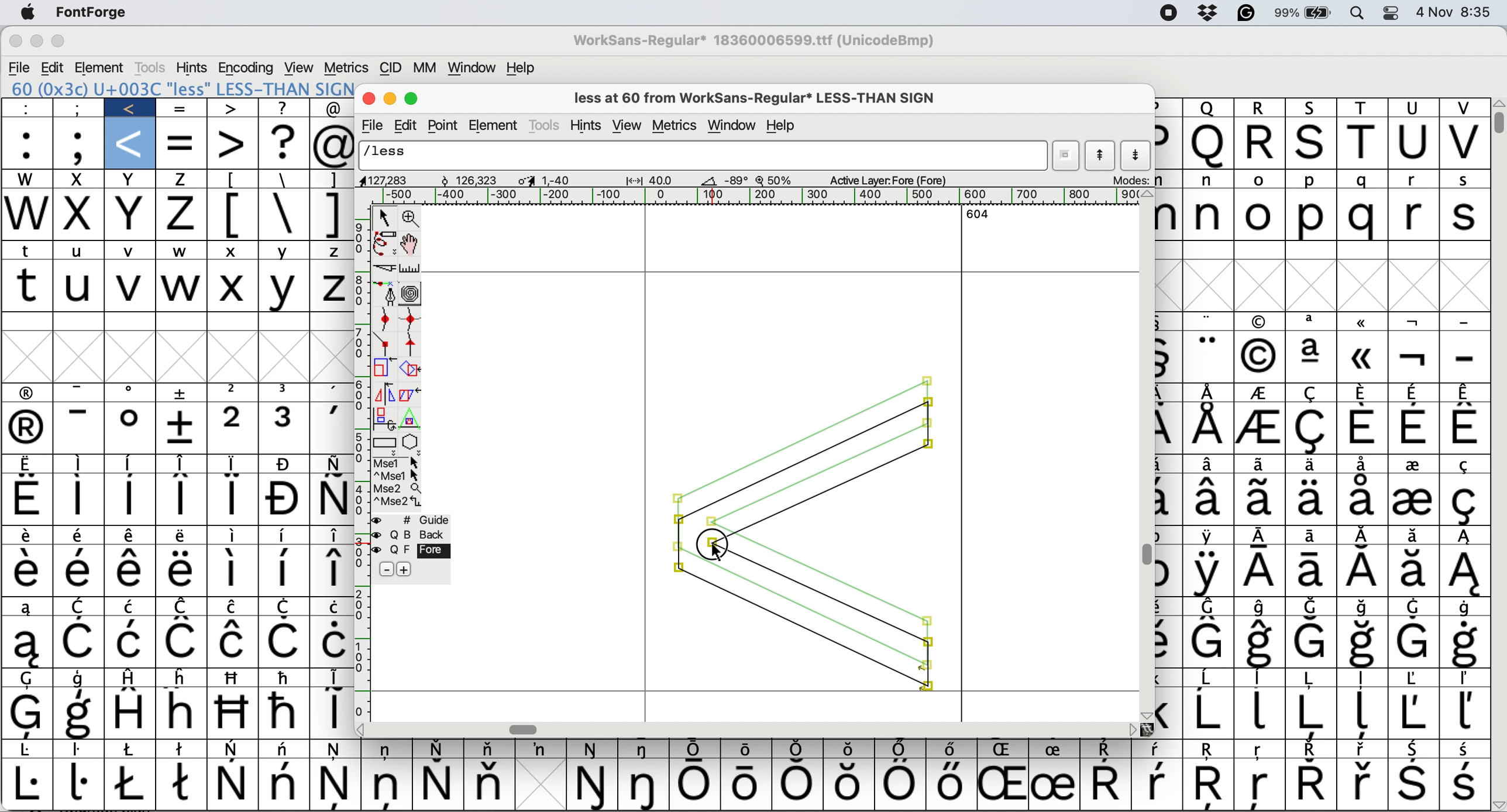 The width and height of the screenshot is (1507, 812). Describe the element at coordinates (183, 677) in the screenshot. I see `Symbol` at that location.